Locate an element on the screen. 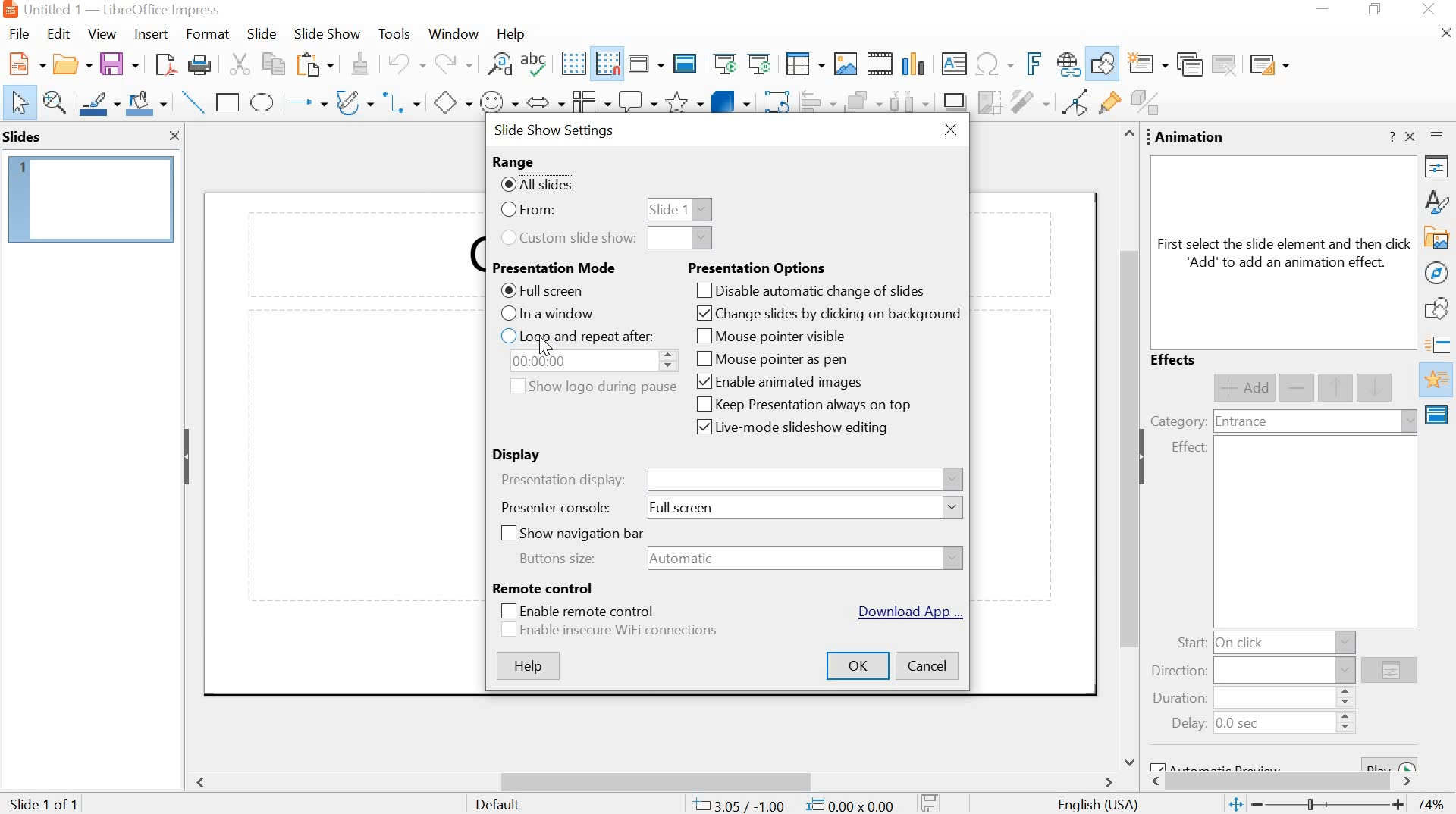 The height and width of the screenshot is (814, 1456). presentation options is located at coordinates (758, 269).